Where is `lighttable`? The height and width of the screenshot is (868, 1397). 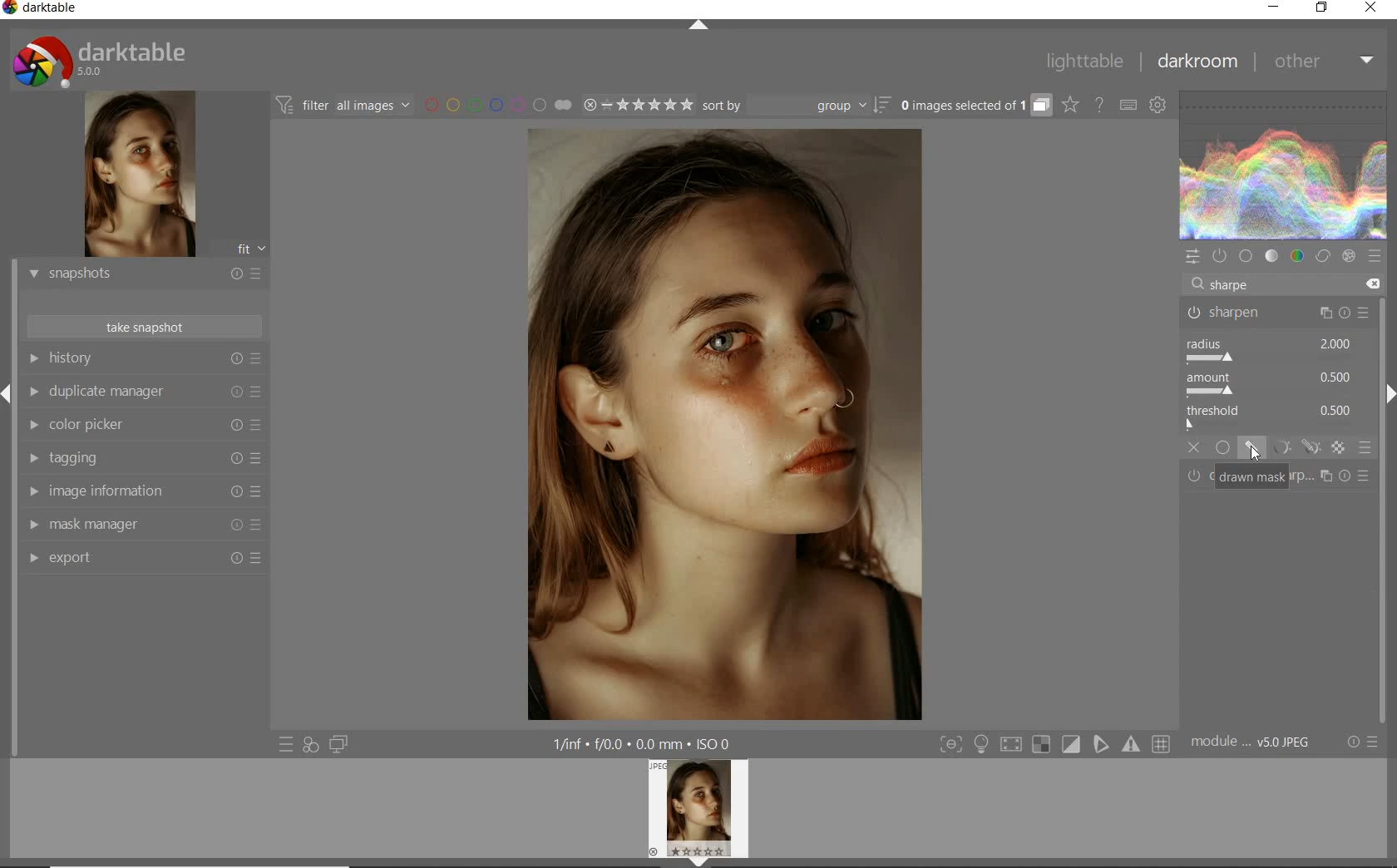 lighttable is located at coordinates (1085, 62).